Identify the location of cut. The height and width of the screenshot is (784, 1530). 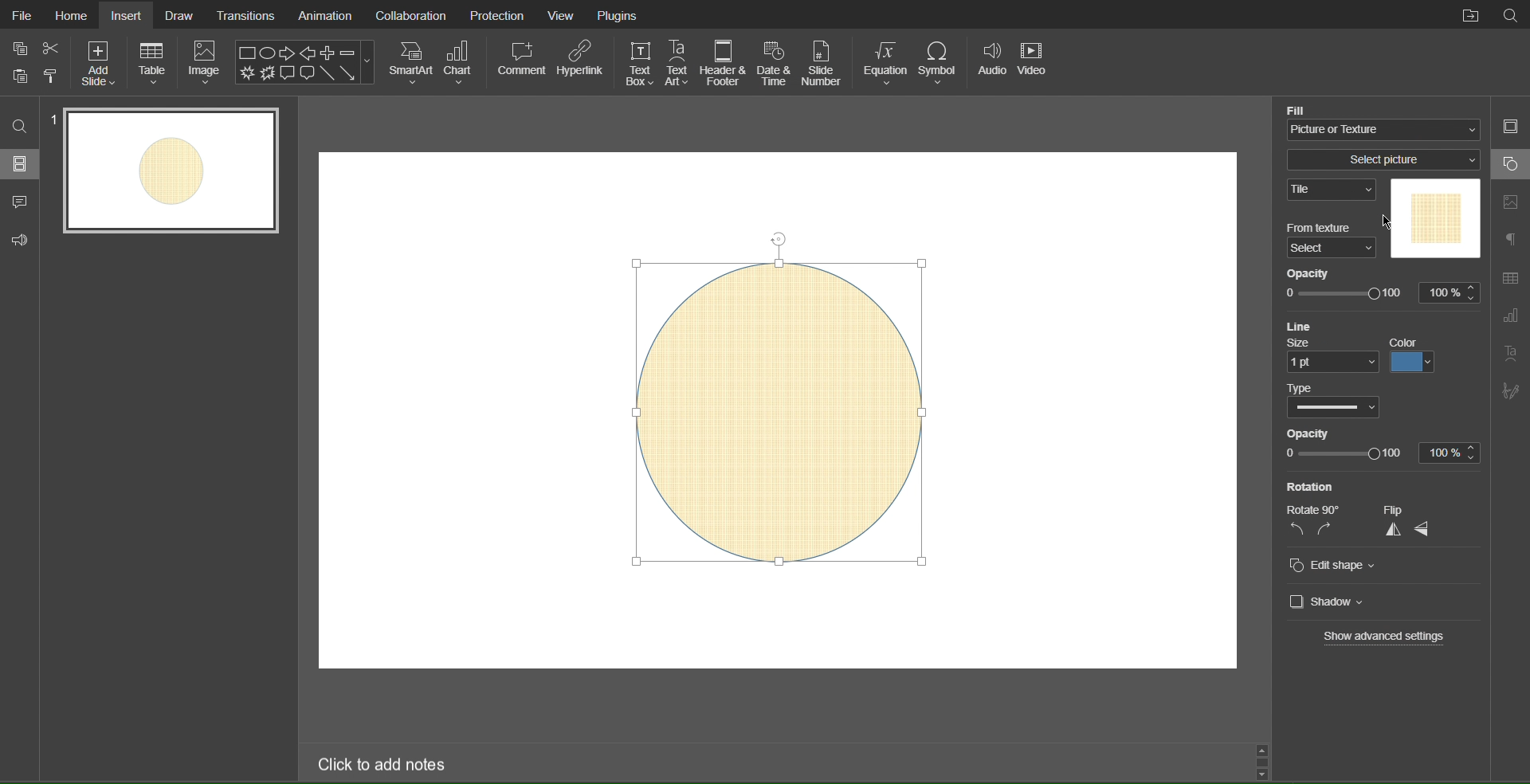
(48, 48).